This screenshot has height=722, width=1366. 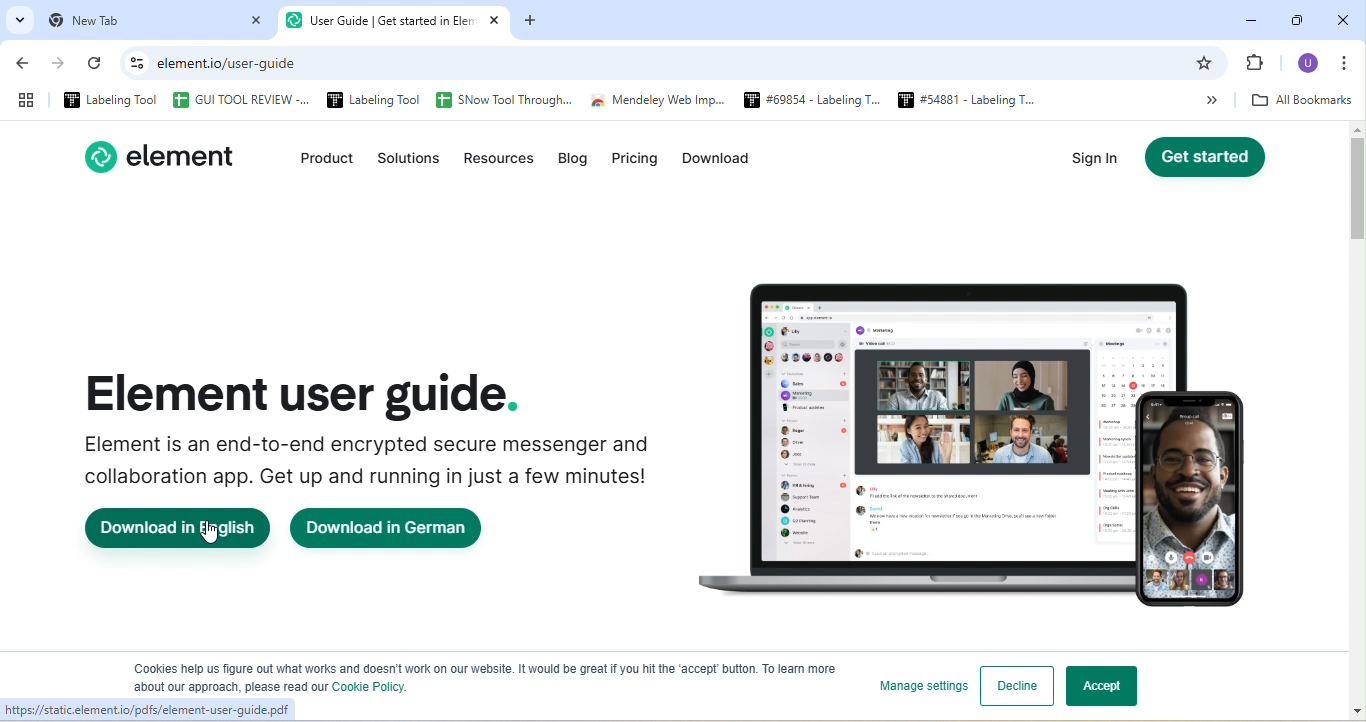 What do you see at coordinates (134, 63) in the screenshot?
I see `See site information` at bounding box center [134, 63].